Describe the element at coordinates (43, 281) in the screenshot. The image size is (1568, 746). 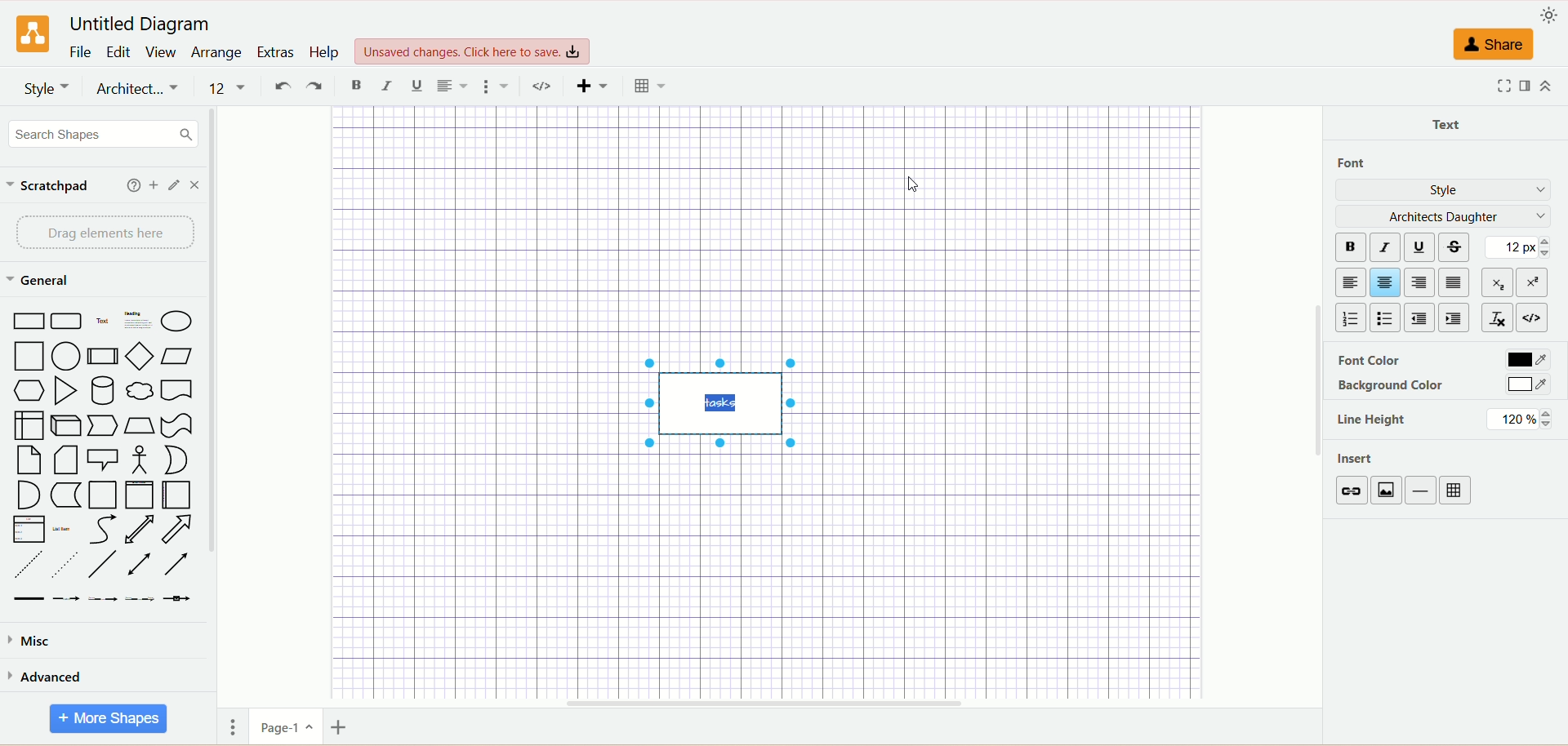
I see `general` at that location.